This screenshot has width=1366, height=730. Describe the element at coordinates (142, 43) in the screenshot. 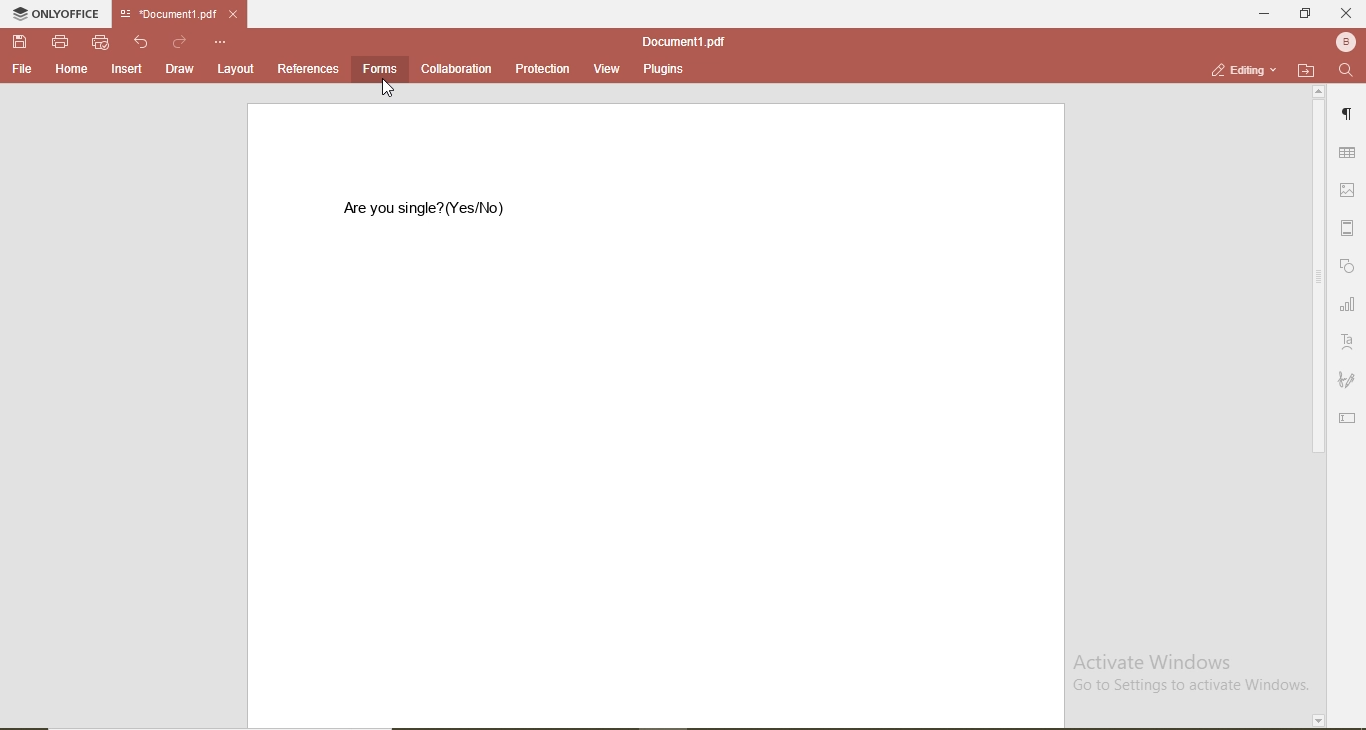

I see `undo` at that location.